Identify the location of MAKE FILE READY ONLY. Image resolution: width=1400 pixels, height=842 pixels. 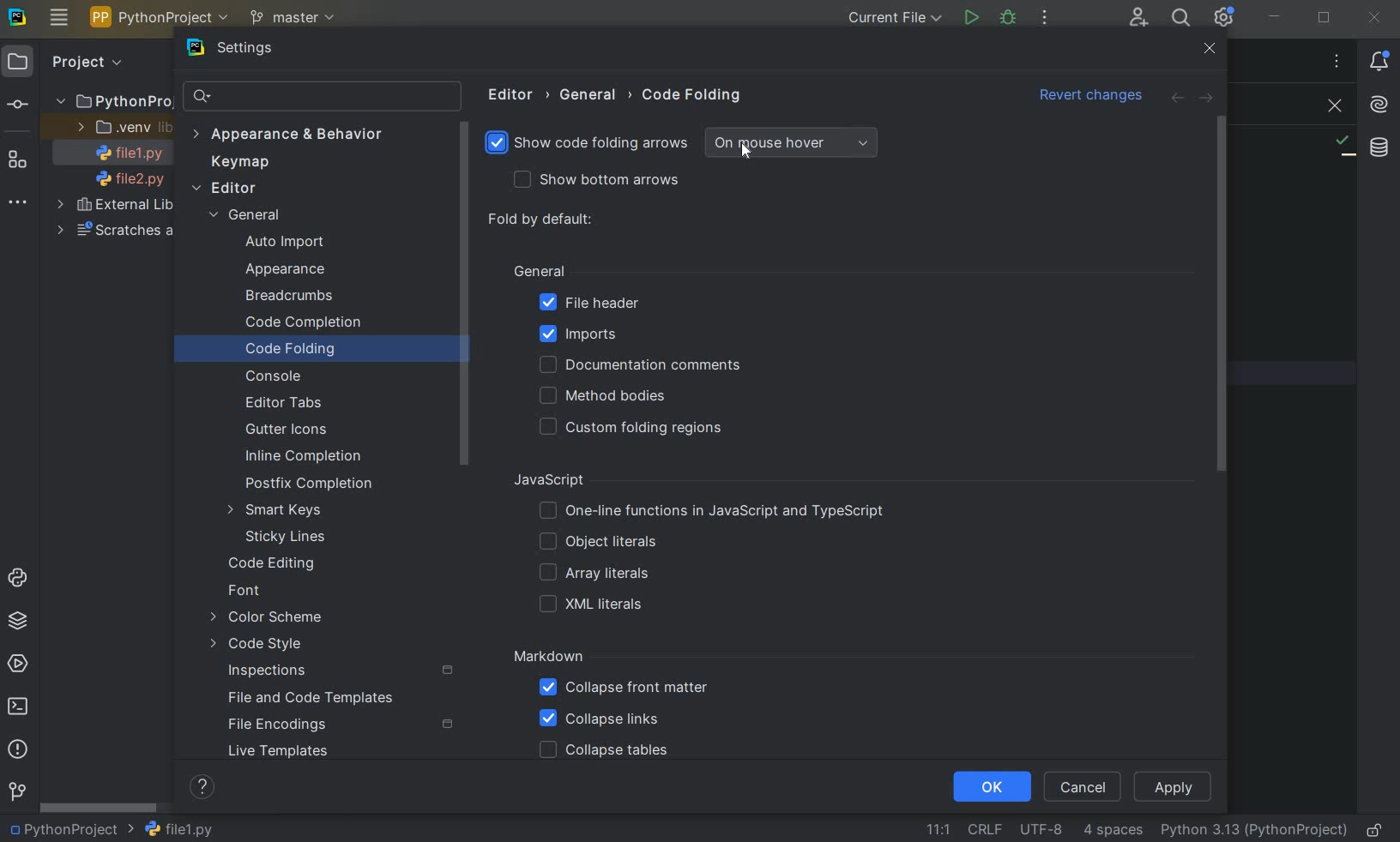
(1378, 830).